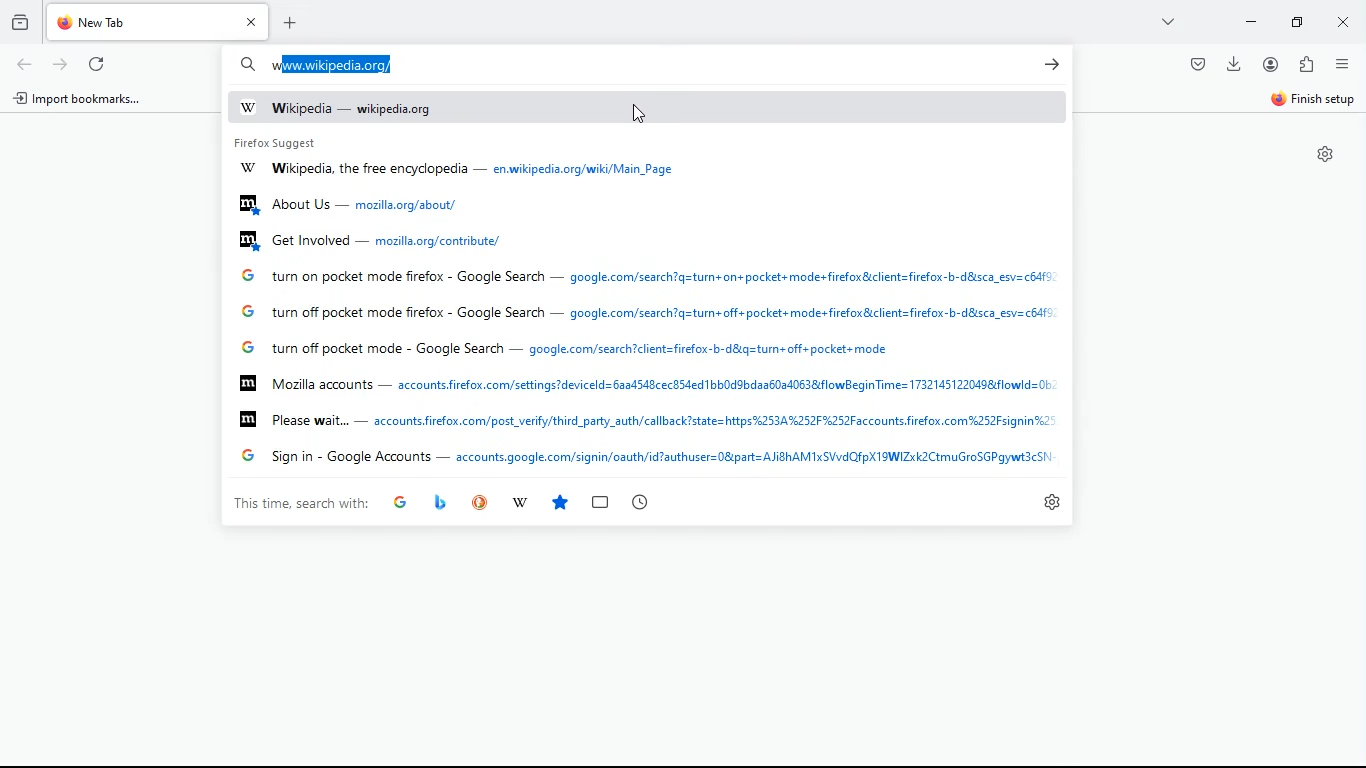 The width and height of the screenshot is (1366, 768). Describe the element at coordinates (1052, 66) in the screenshot. I see `enter` at that location.